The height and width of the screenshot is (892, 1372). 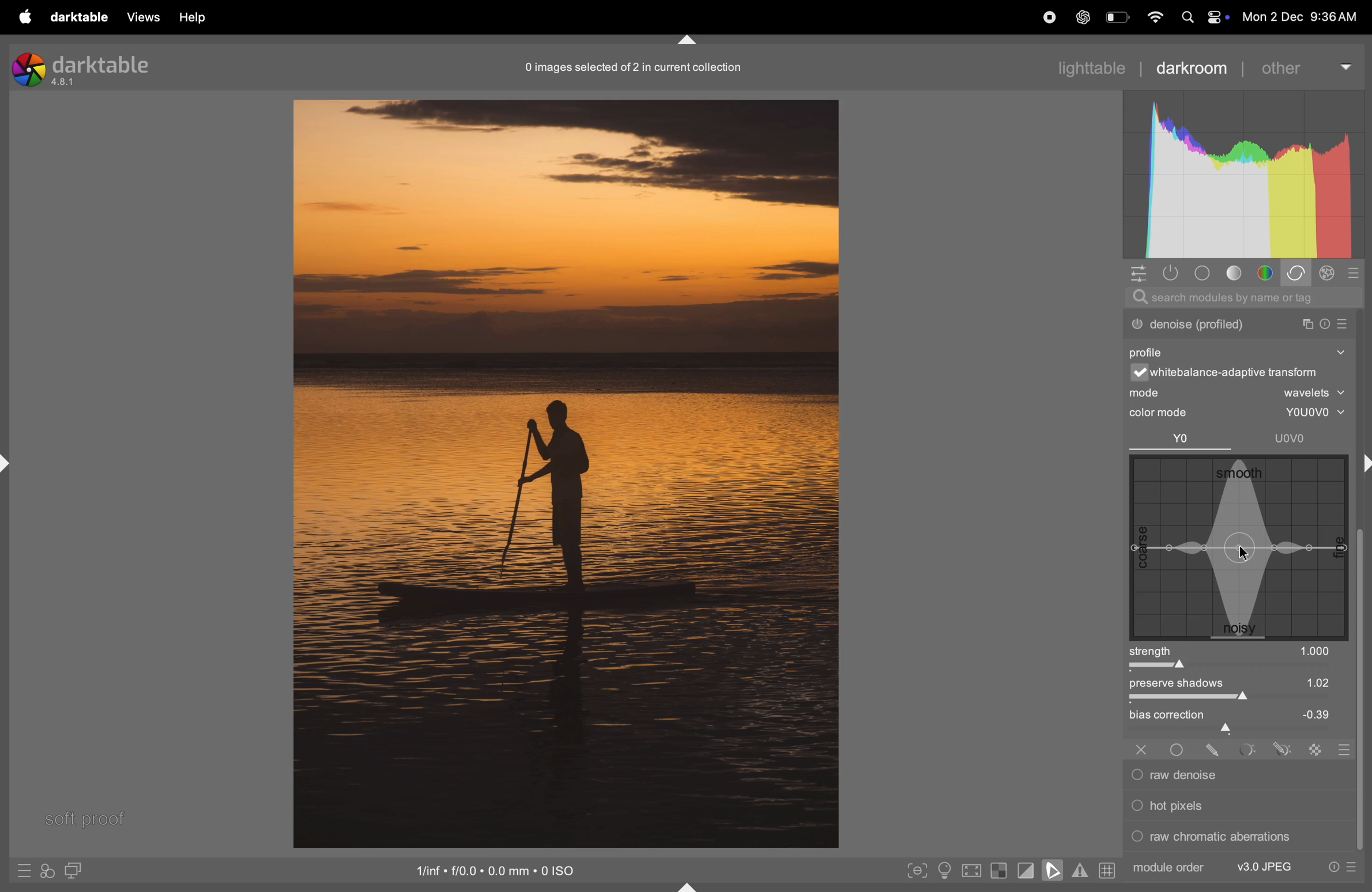 I want to click on sign, so click(x=1316, y=749).